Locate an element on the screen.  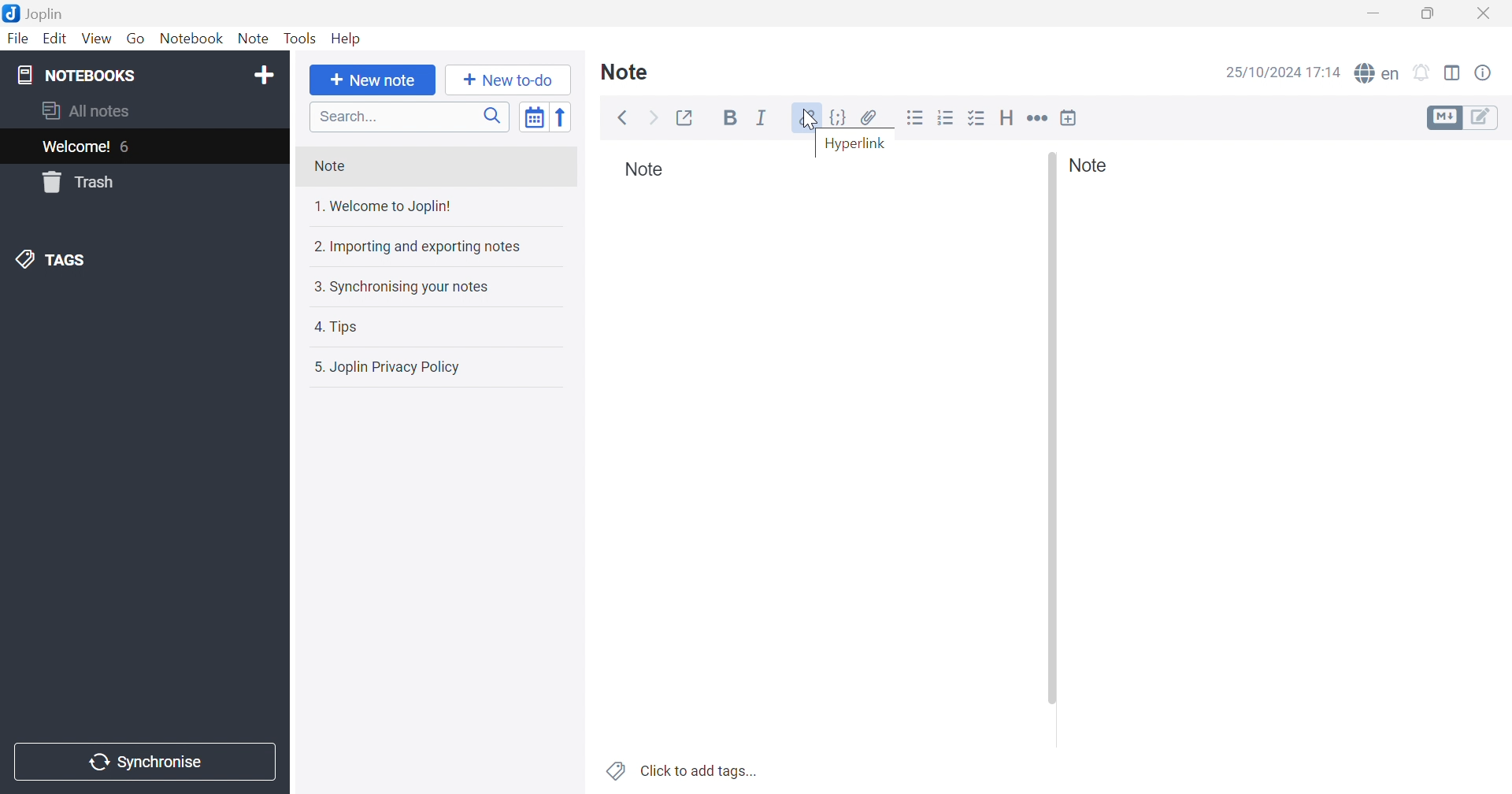
Tools is located at coordinates (299, 39).